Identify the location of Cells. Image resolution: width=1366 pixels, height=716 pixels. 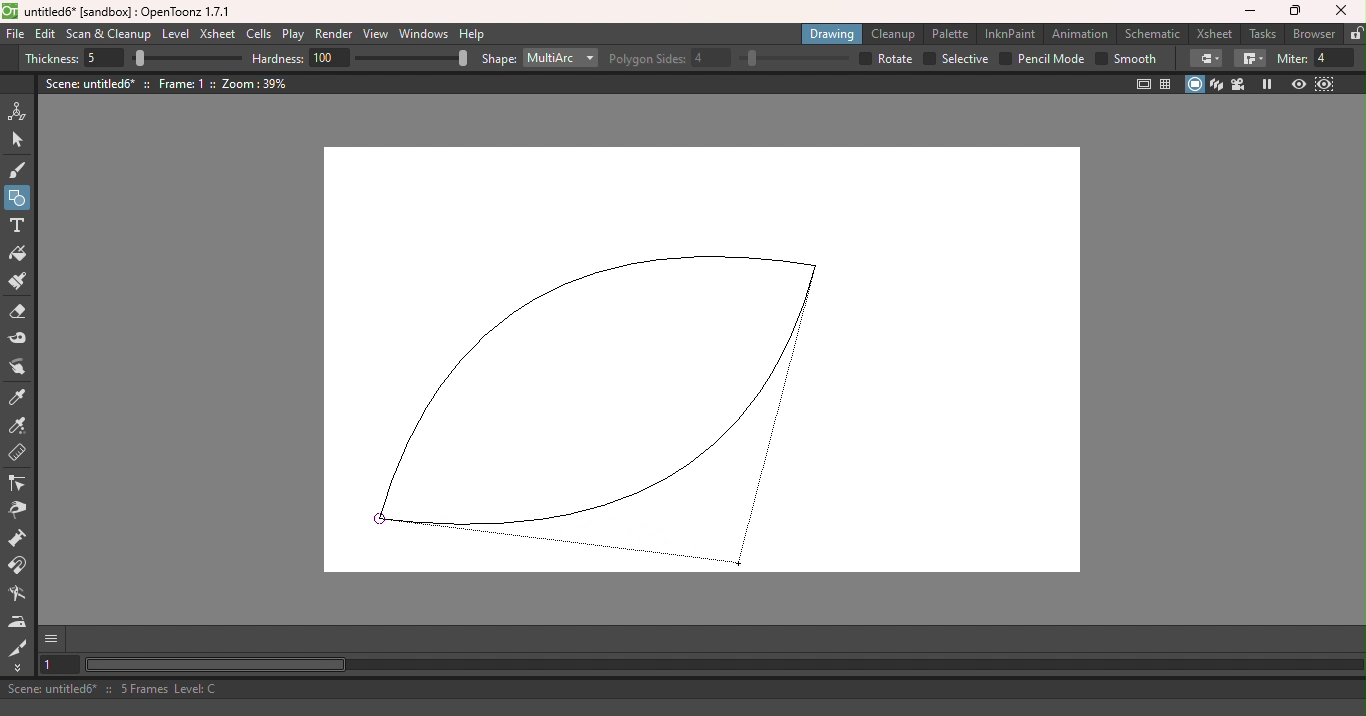
(258, 35).